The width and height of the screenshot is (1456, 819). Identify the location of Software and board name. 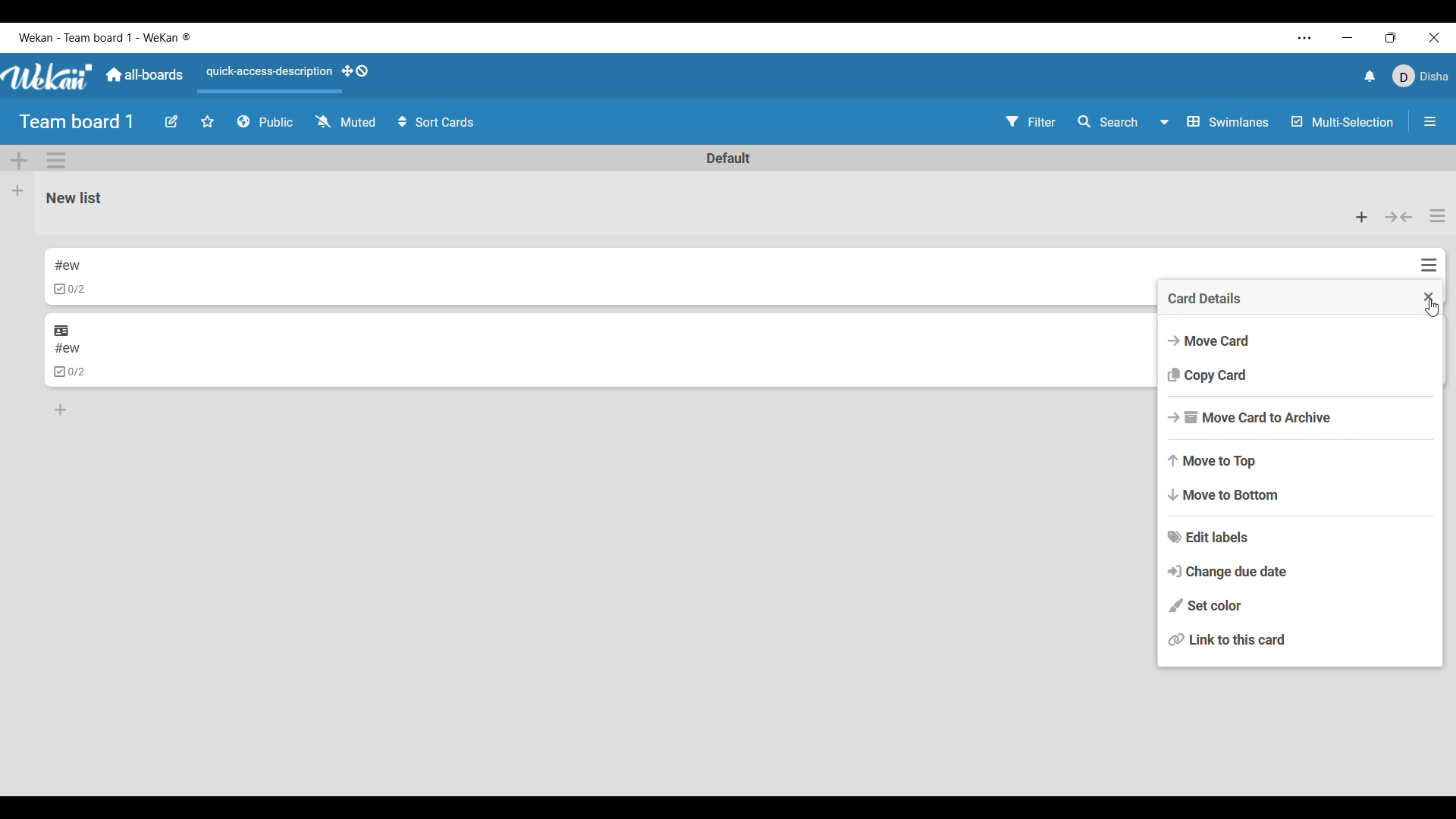
(105, 37).